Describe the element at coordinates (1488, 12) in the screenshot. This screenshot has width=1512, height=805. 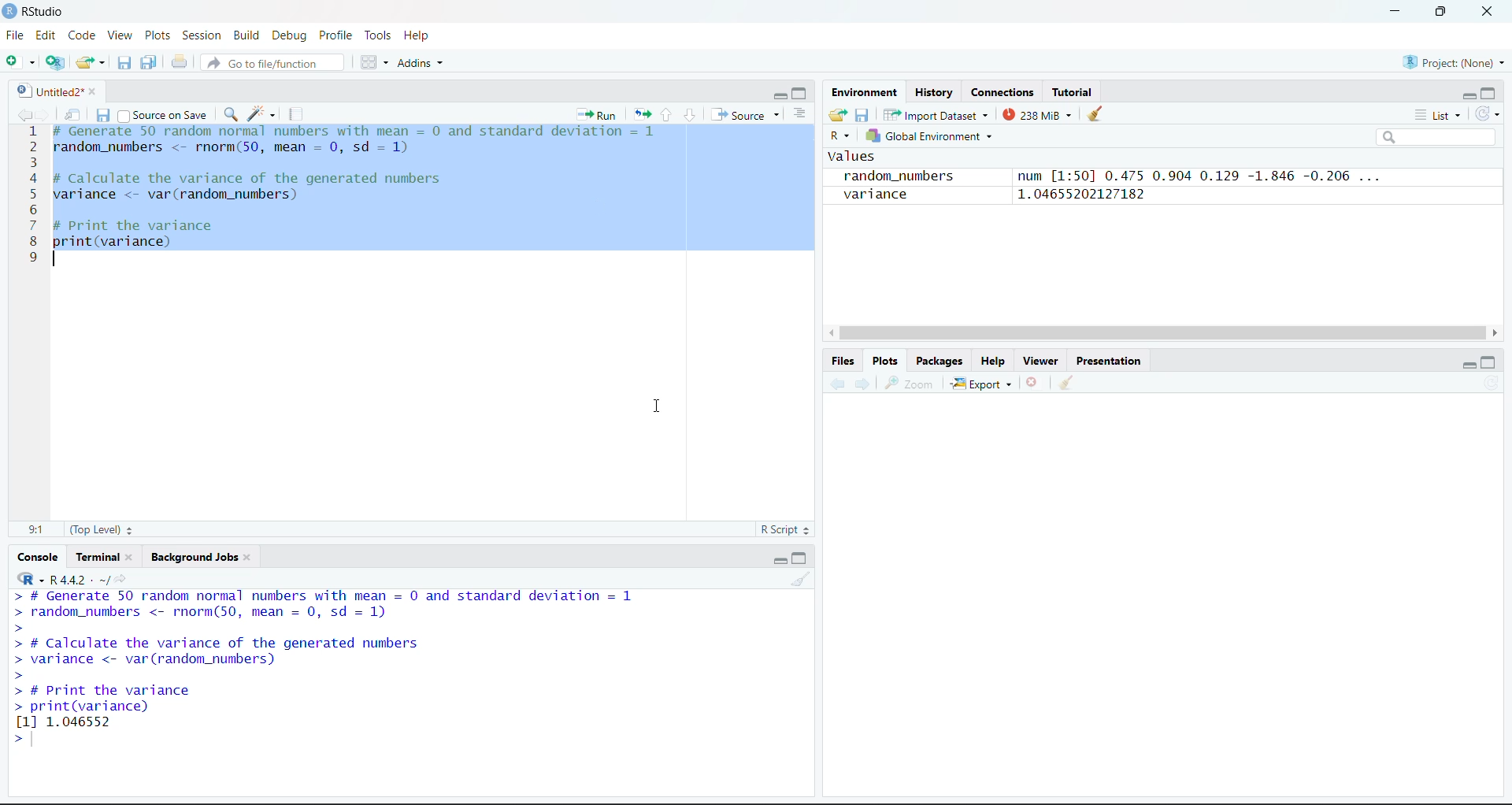
I see `close` at that location.